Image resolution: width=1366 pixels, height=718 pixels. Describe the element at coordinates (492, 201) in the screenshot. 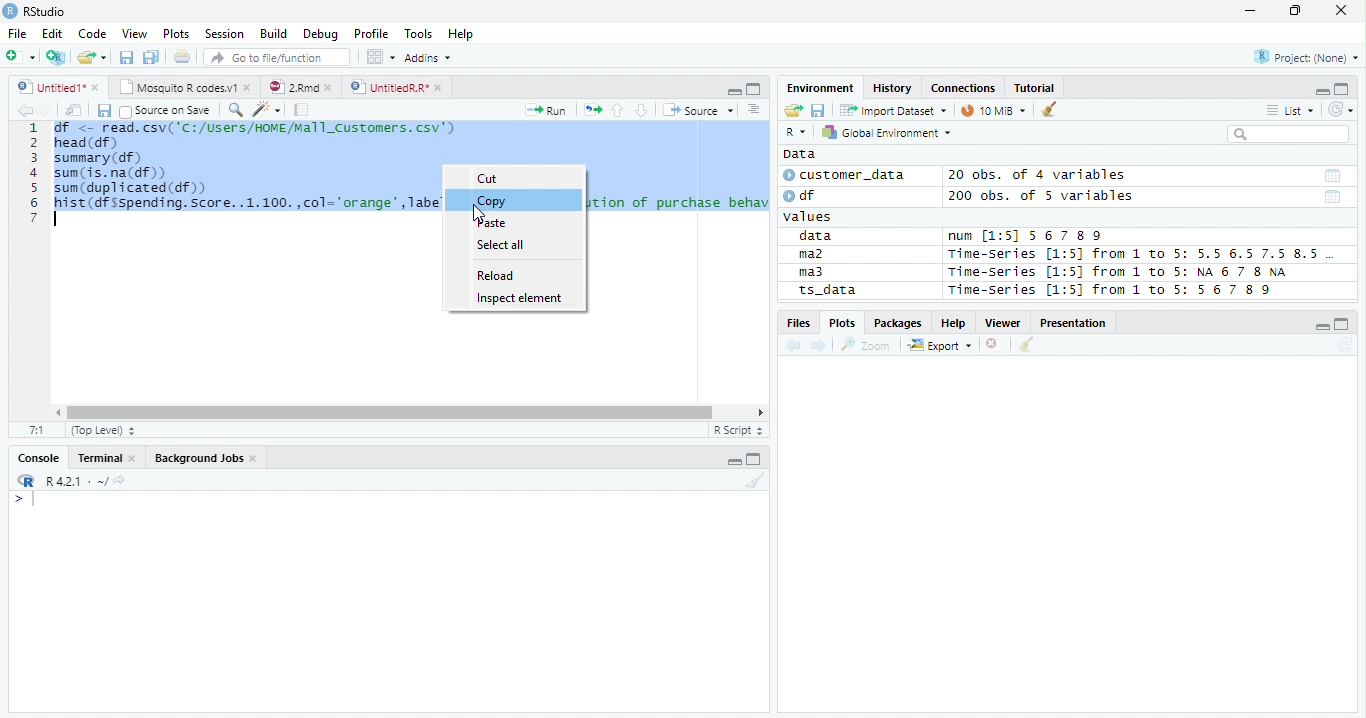

I see `Copy` at that location.